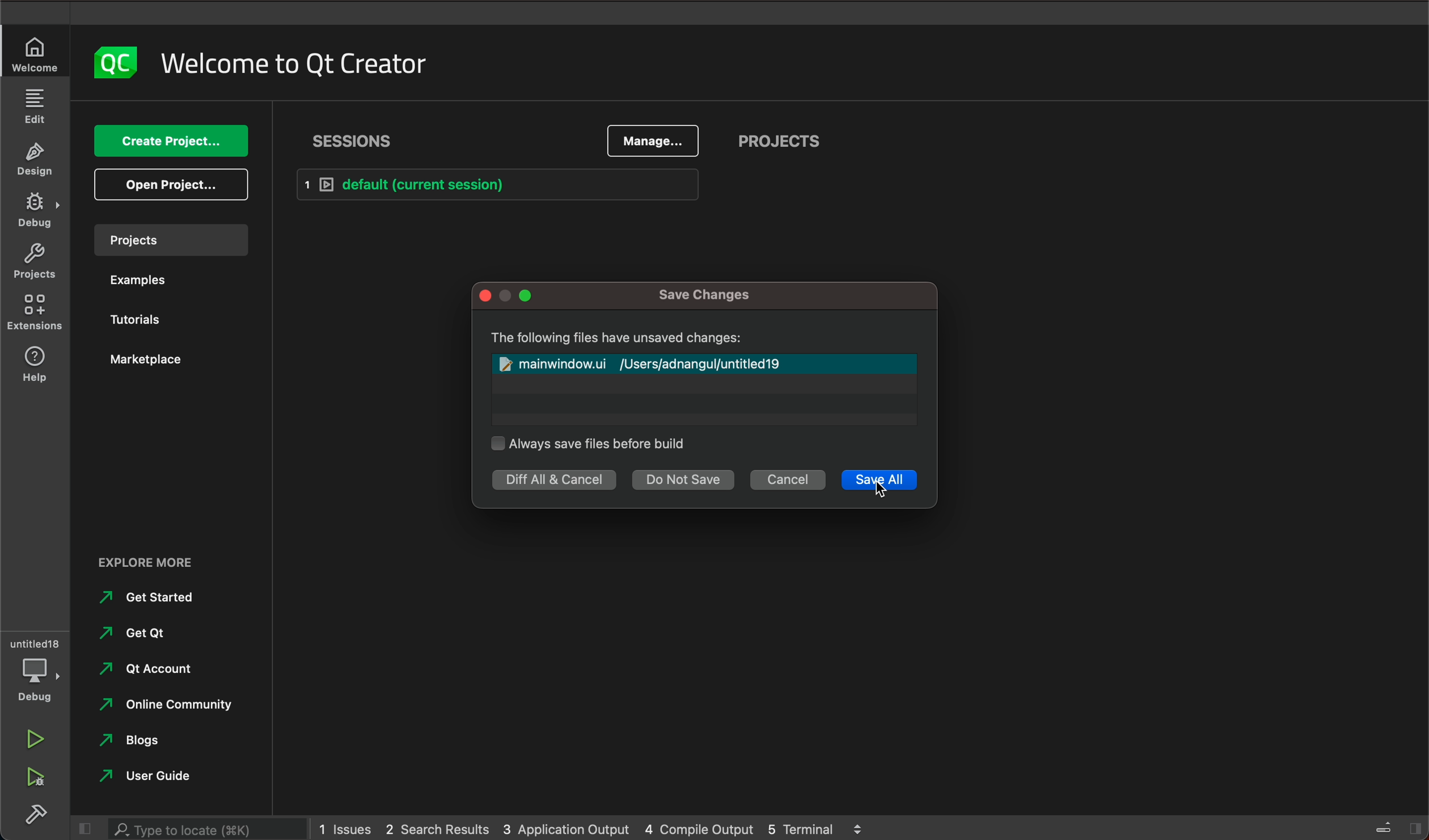 The height and width of the screenshot is (840, 1429). Describe the element at coordinates (586, 446) in the screenshot. I see `save file` at that location.